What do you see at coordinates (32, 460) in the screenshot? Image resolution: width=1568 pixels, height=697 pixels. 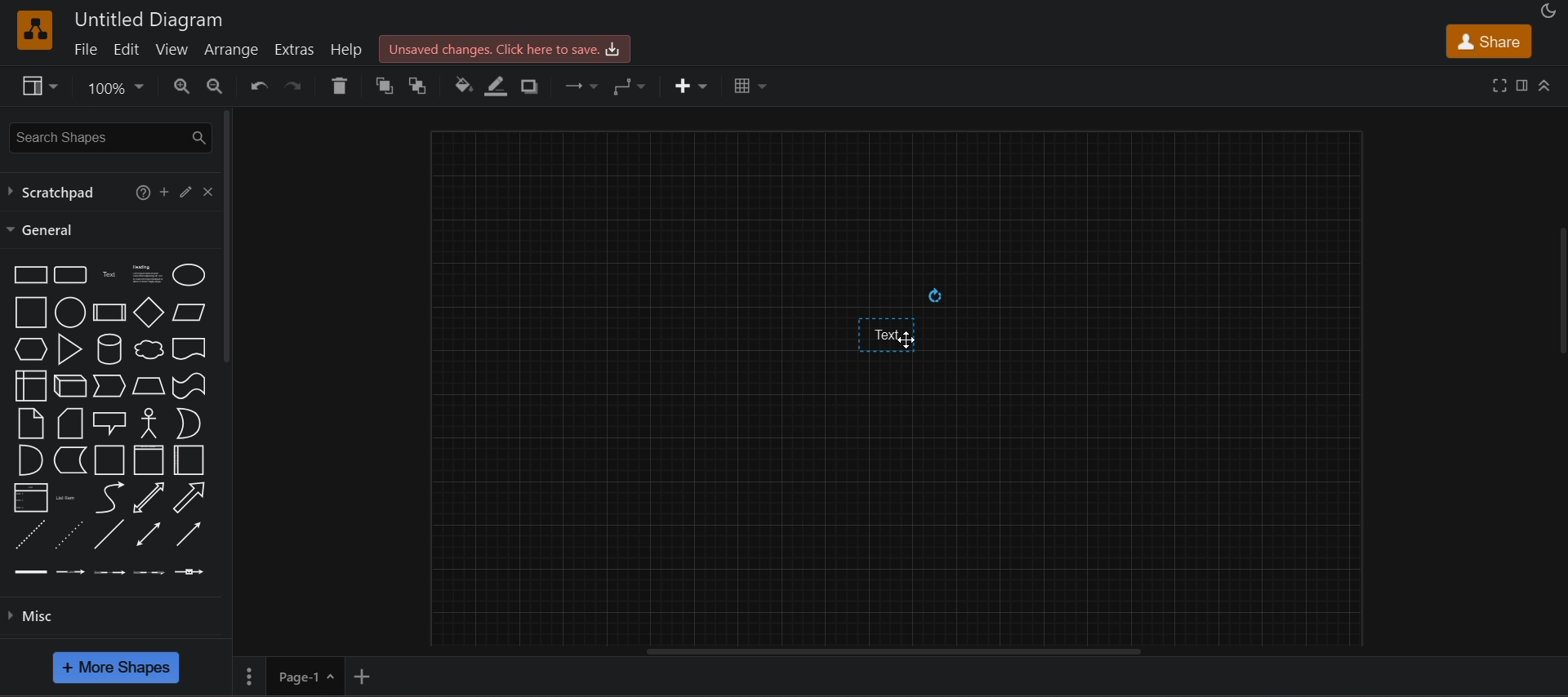 I see `And` at bounding box center [32, 460].